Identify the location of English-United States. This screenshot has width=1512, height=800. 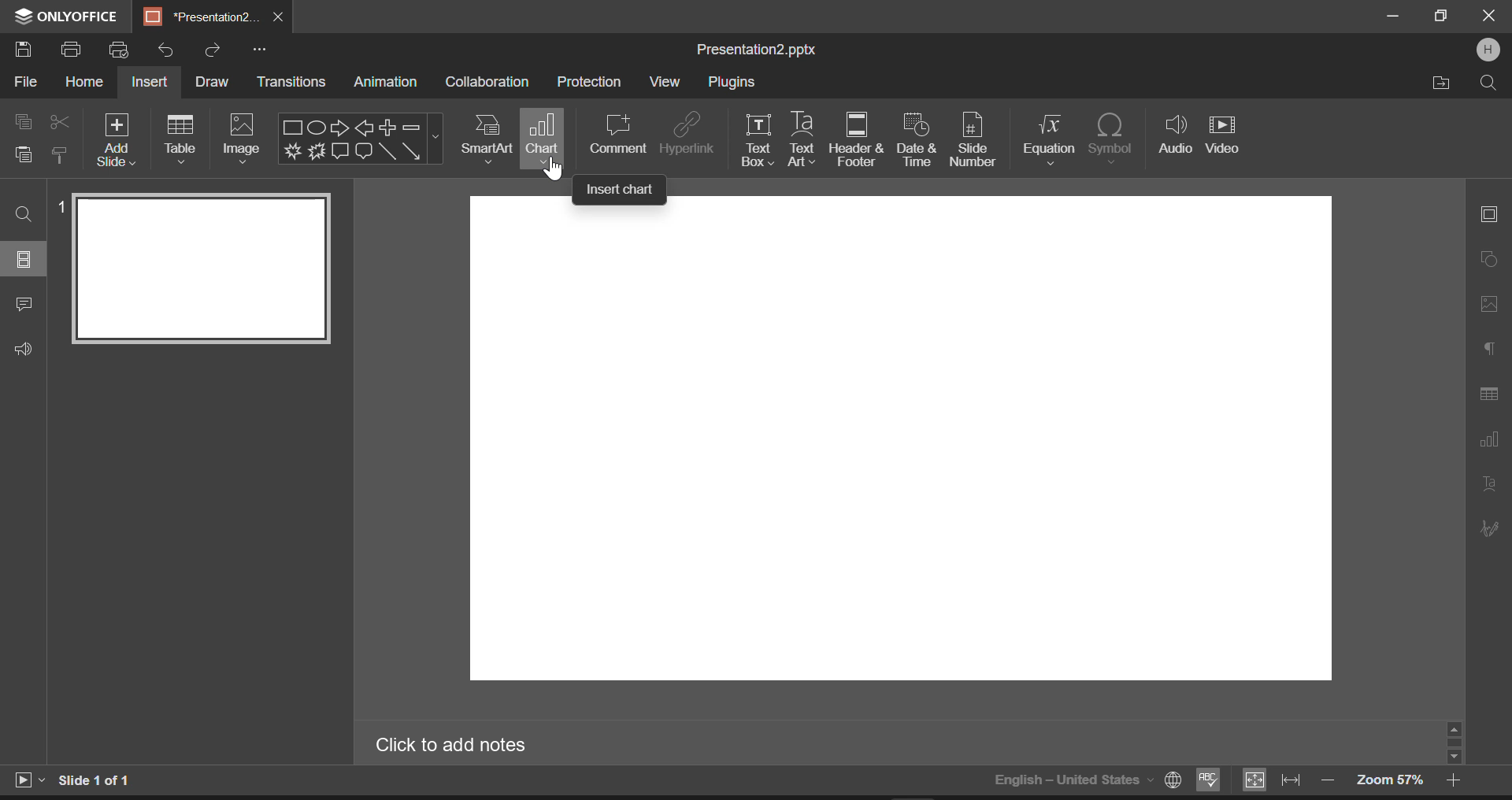
(1086, 780).